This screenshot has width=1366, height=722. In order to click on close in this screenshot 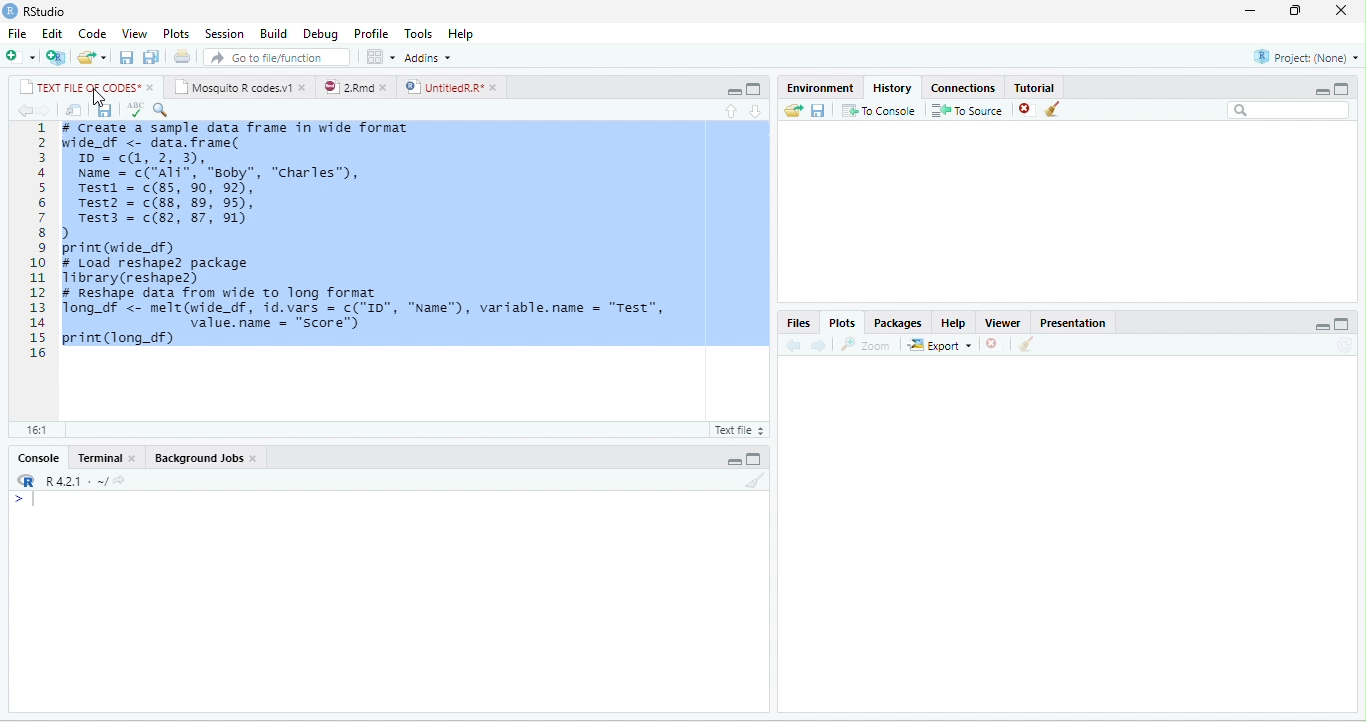, I will do `click(254, 459)`.